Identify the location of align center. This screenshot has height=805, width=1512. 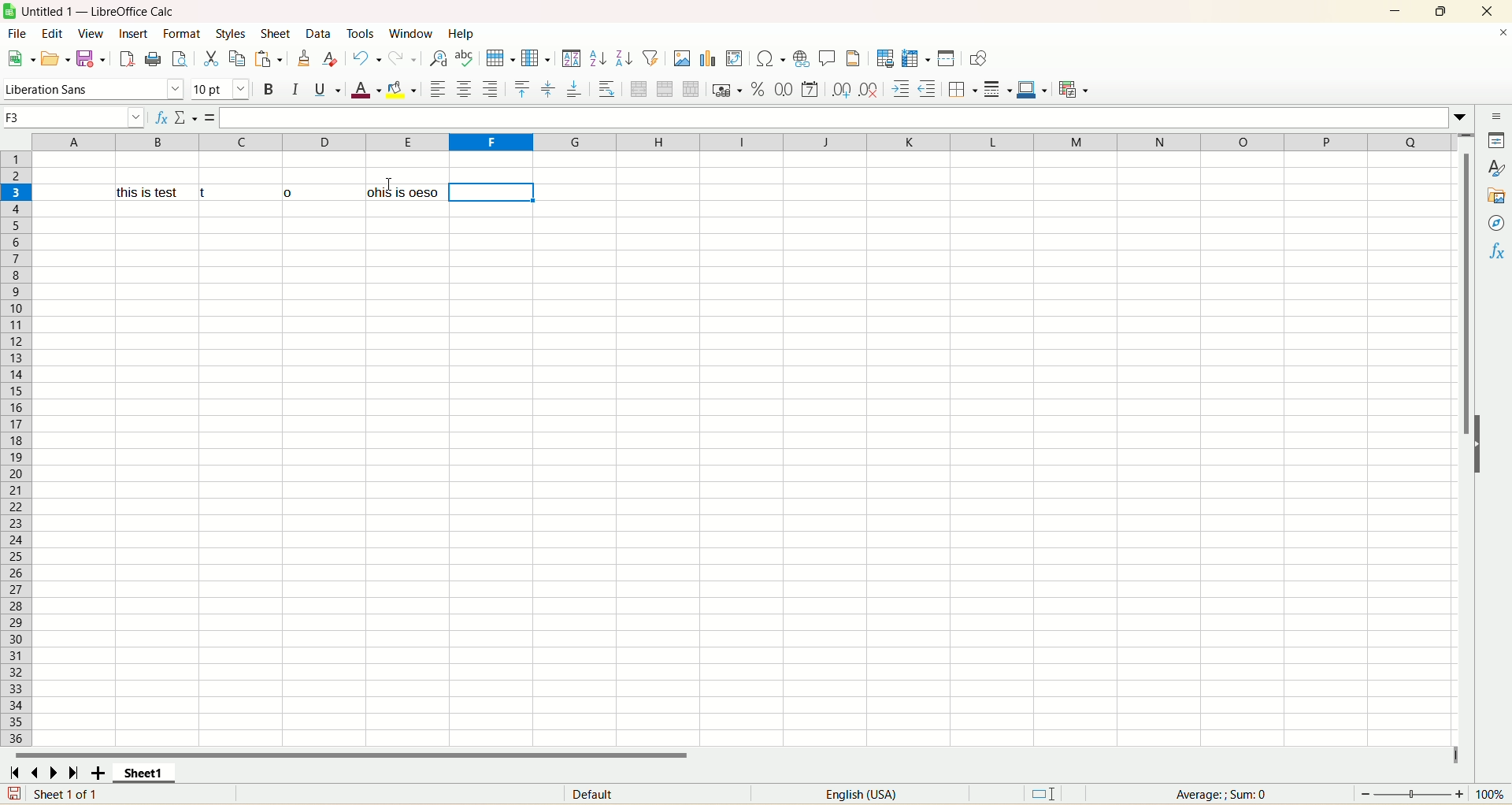
(548, 88).